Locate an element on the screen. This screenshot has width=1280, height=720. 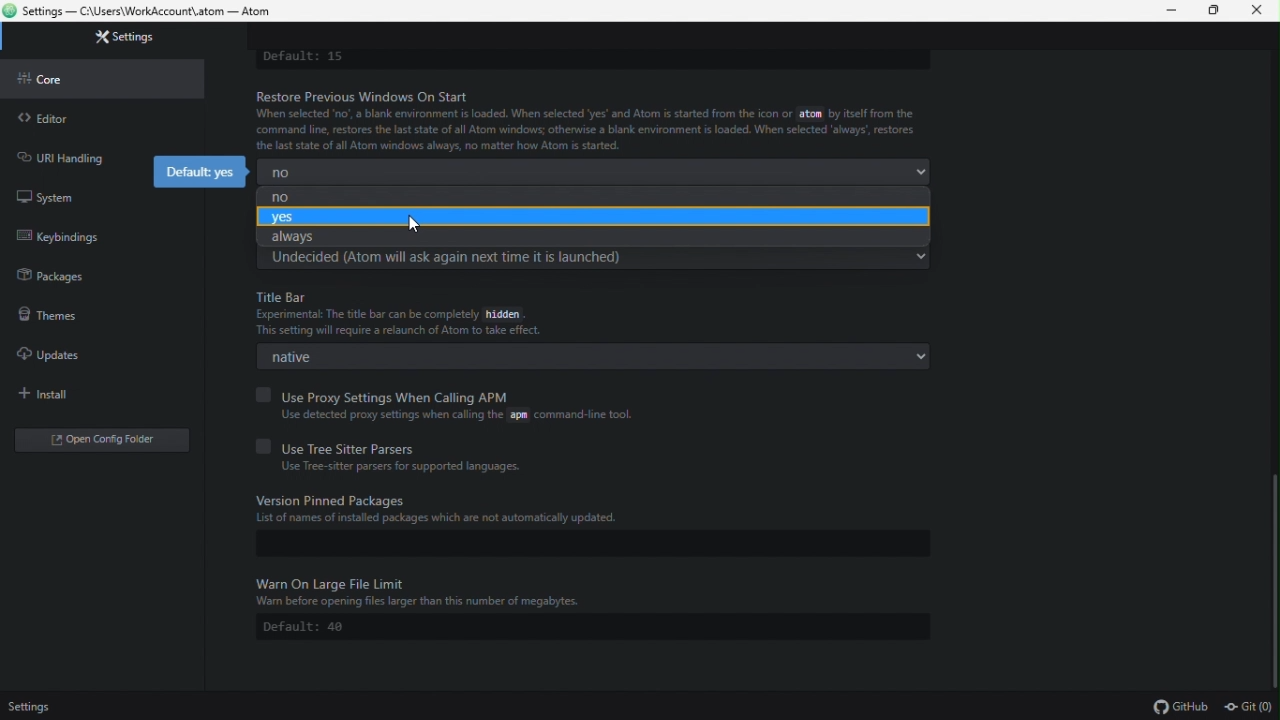
native  is located at coordinates (593, 359).